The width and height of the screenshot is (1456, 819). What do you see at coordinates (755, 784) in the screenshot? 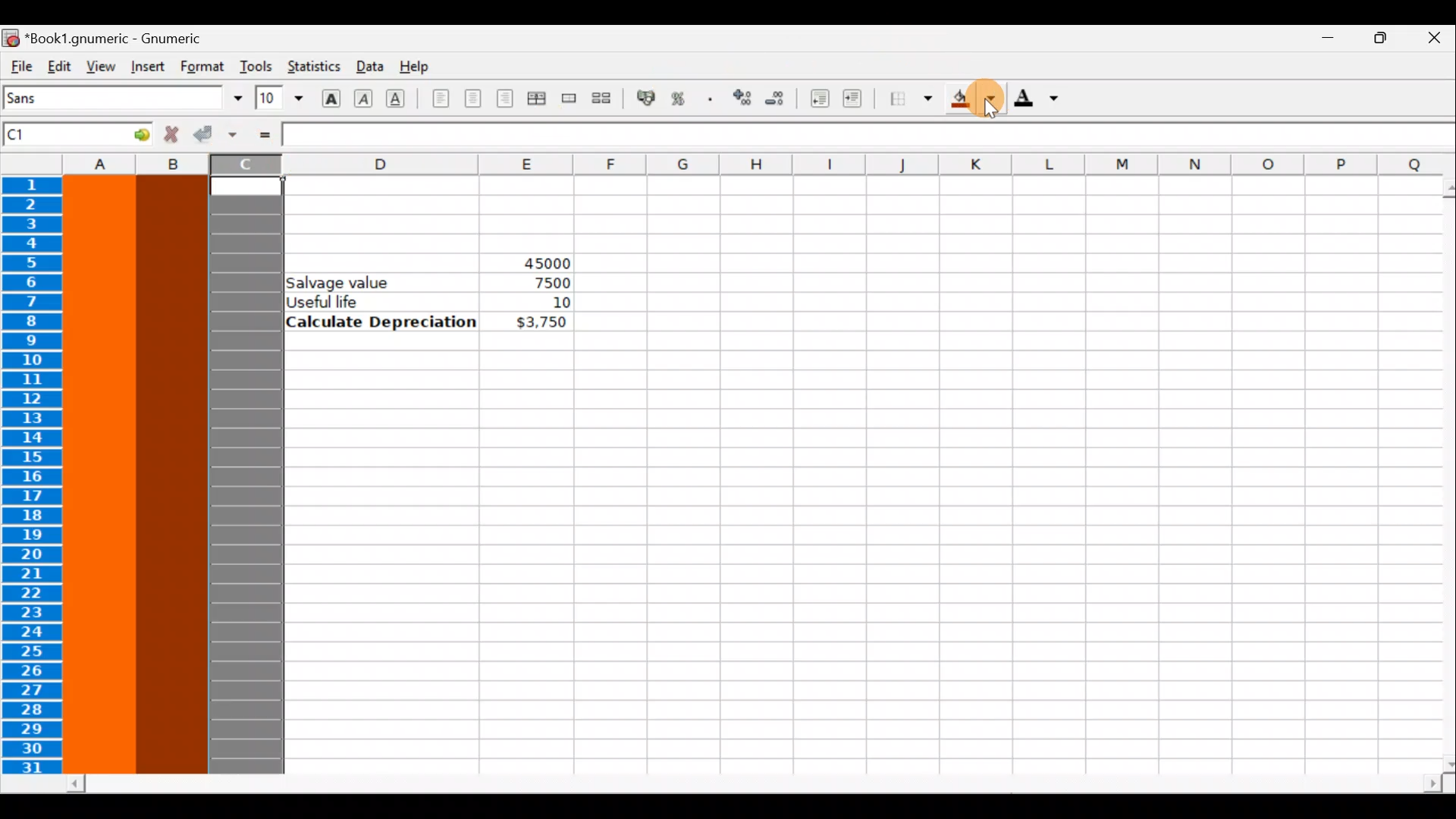
I see `Scroll bar` at bounding box center [755, 784].